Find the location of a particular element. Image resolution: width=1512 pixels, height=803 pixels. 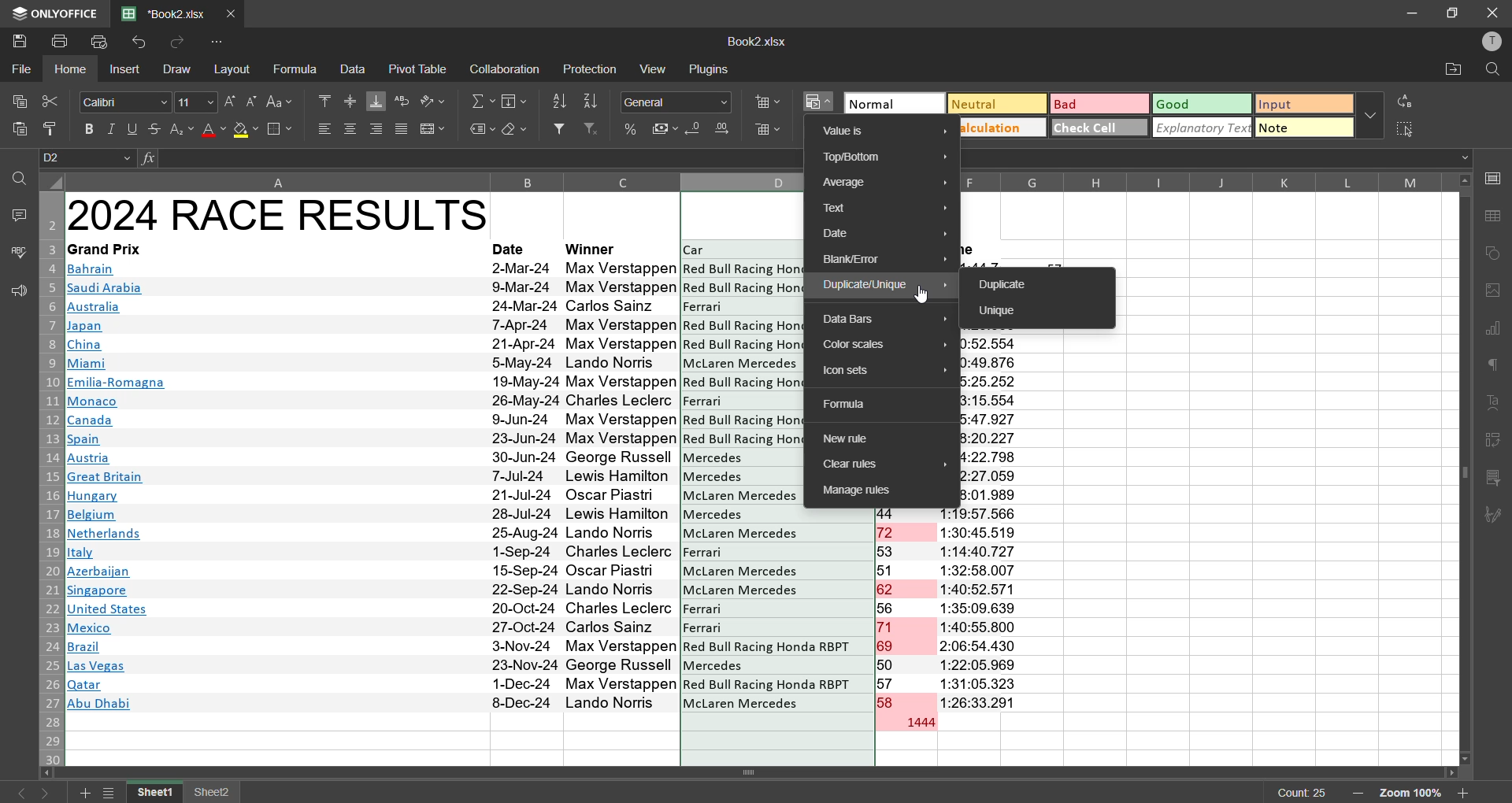

strikethrough is located at coordinates (153, 128).